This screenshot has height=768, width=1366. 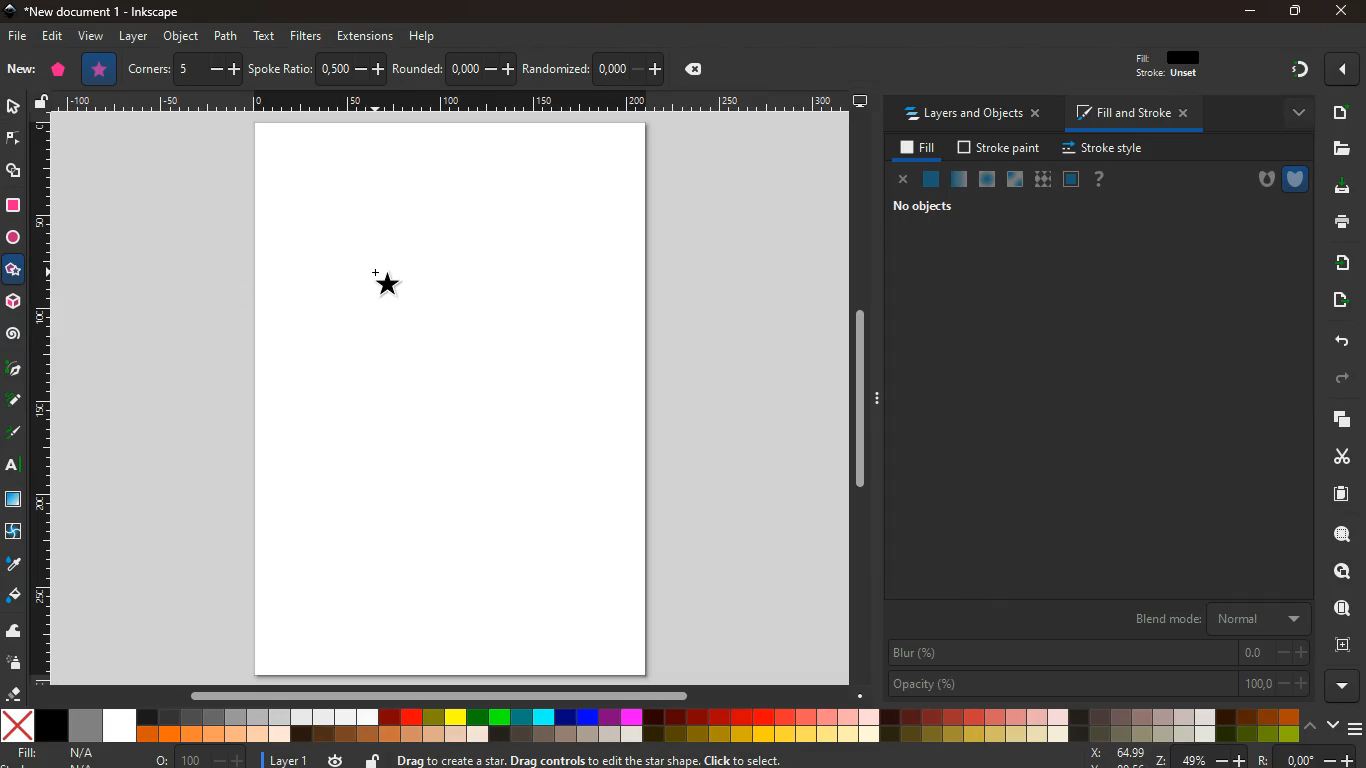 What do you see at coordinates (365, 35) in the screenshot?
I see `extensions` at bounding box center [365, 35].